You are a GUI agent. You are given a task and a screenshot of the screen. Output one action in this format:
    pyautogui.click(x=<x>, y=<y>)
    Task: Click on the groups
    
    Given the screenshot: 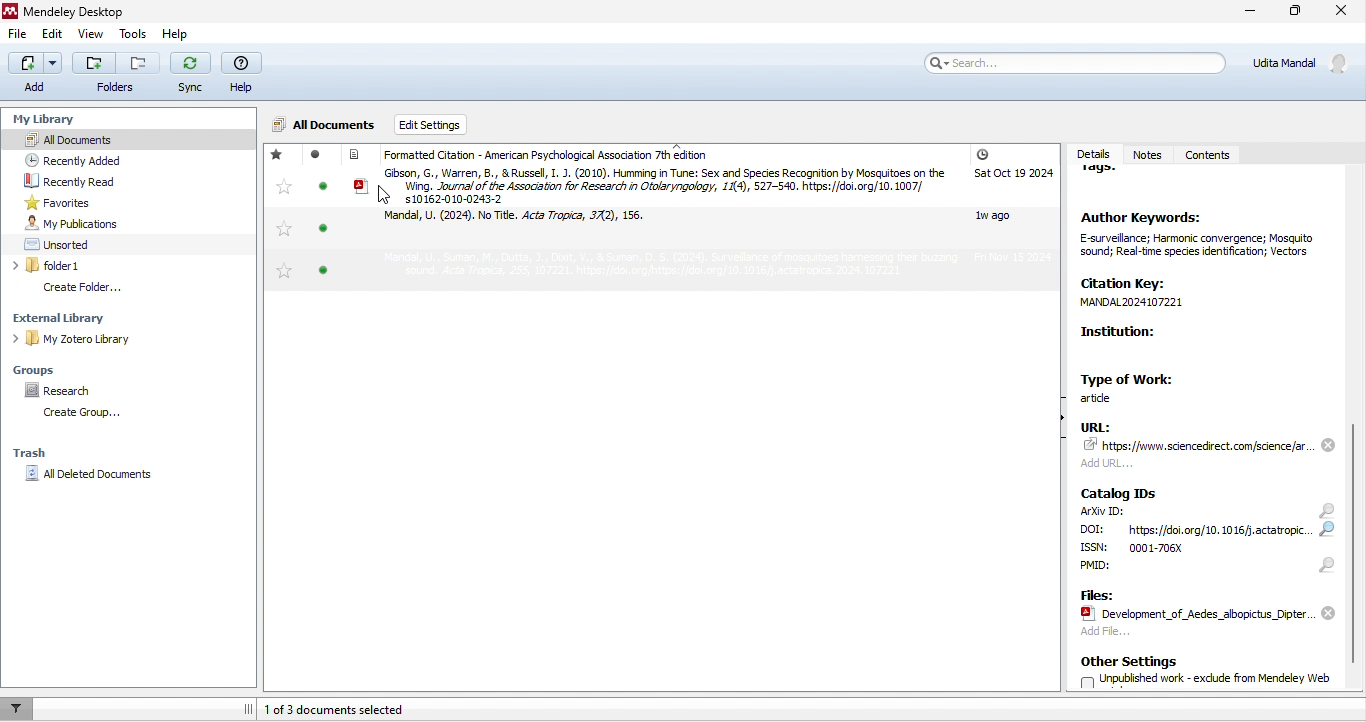 What is the action you would take?
    pyautogui.click(x=45, y=368)
    